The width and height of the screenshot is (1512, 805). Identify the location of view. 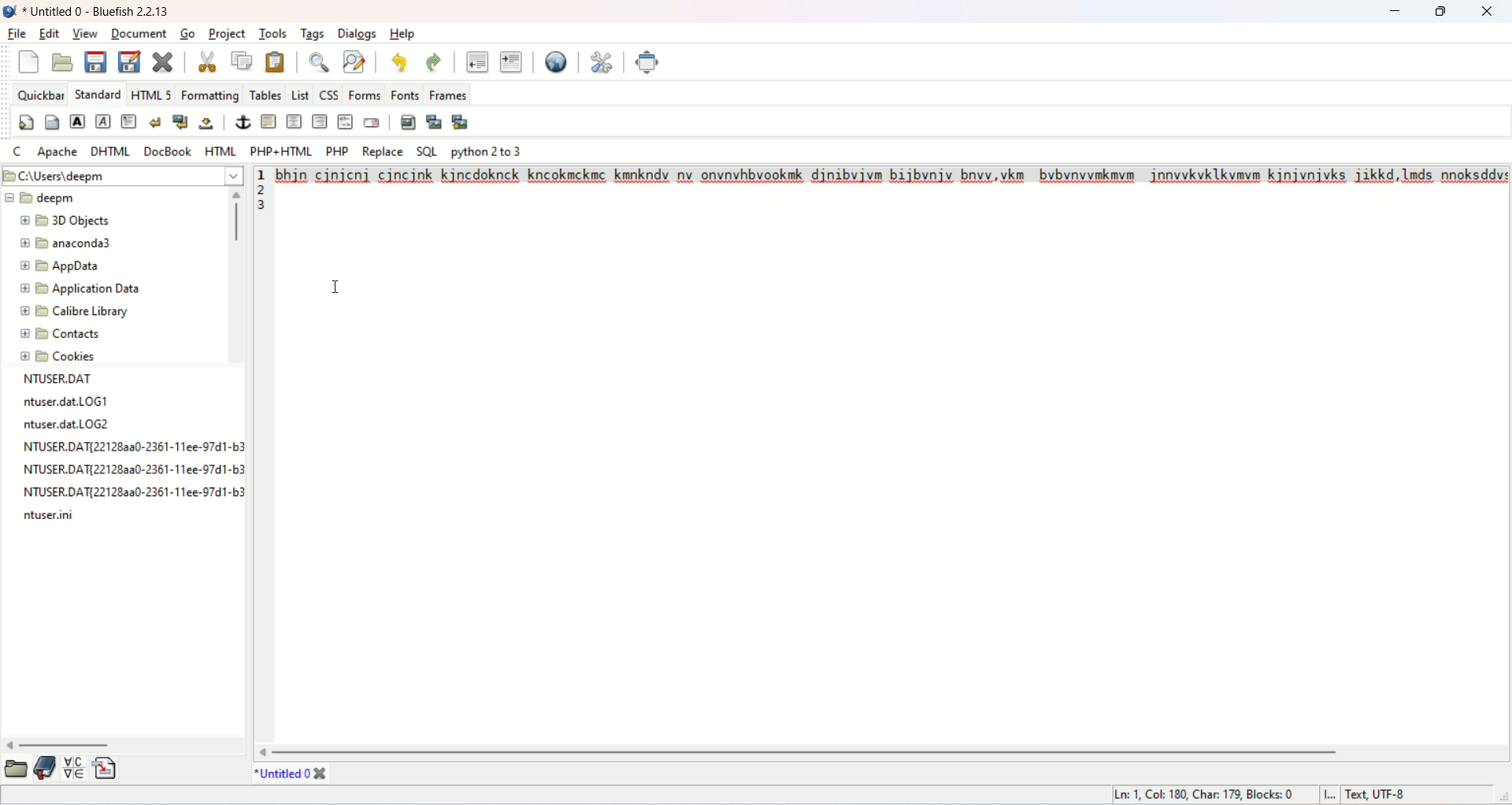
(85, 32).